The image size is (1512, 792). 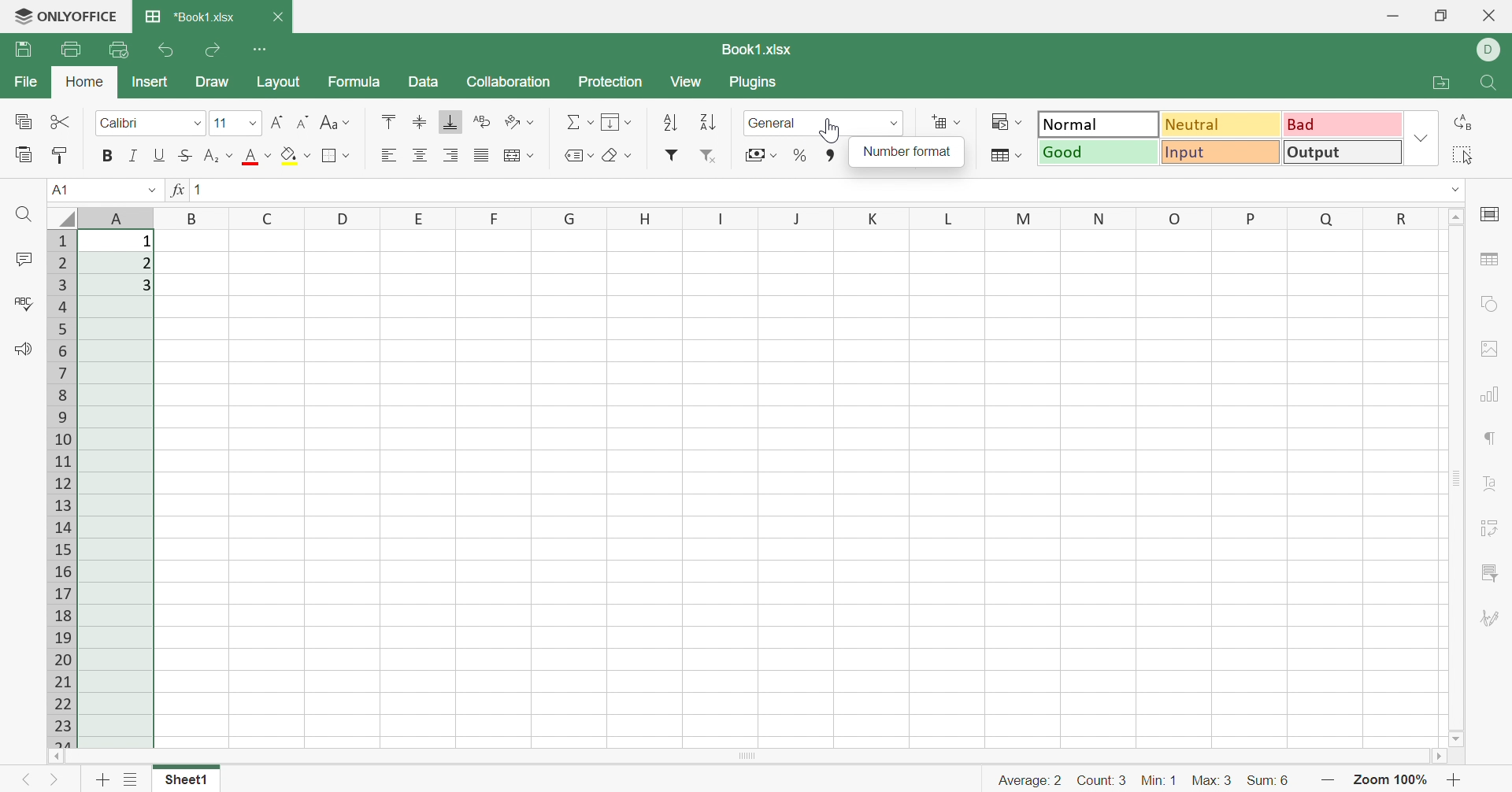 I want to click on Paste, so click(x=24, y=154).